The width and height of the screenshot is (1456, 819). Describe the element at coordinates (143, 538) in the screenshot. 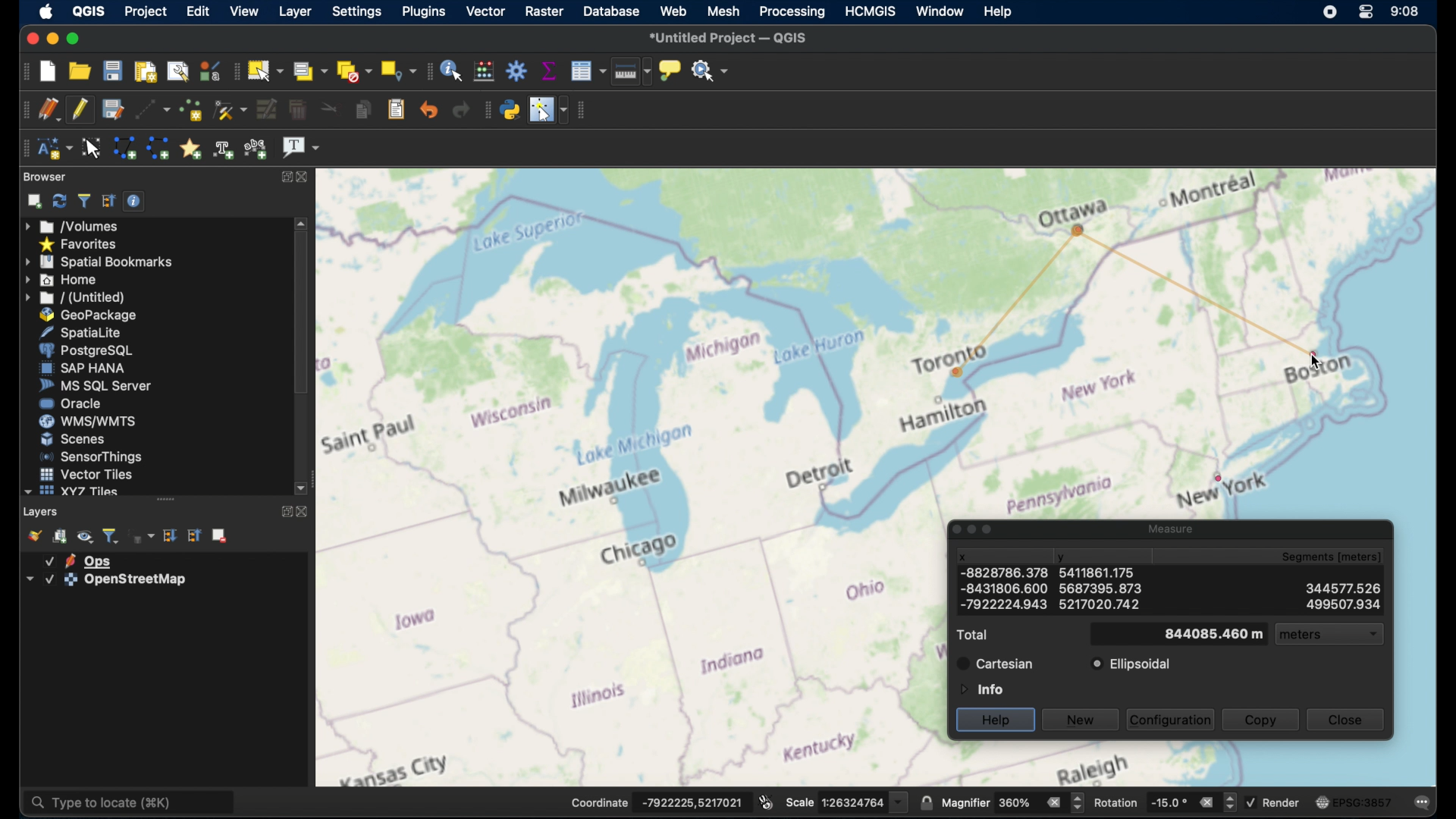

I see `filter legend by expression` at that location.